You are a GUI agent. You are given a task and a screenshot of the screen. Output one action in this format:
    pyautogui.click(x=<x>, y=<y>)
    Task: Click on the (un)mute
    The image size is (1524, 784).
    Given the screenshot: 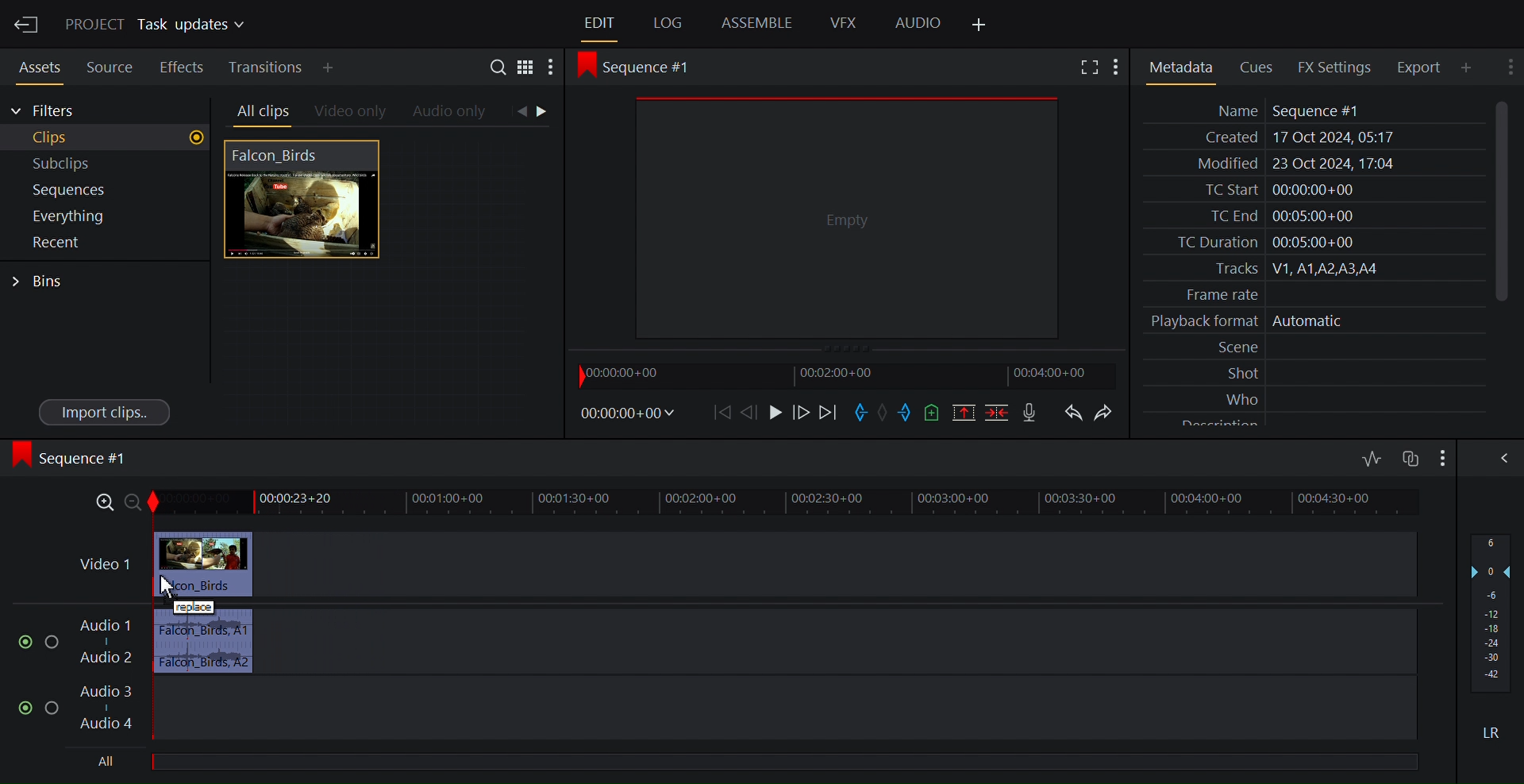 What is the action you would take?
    pyautogui.click(x=26, y=643)
    